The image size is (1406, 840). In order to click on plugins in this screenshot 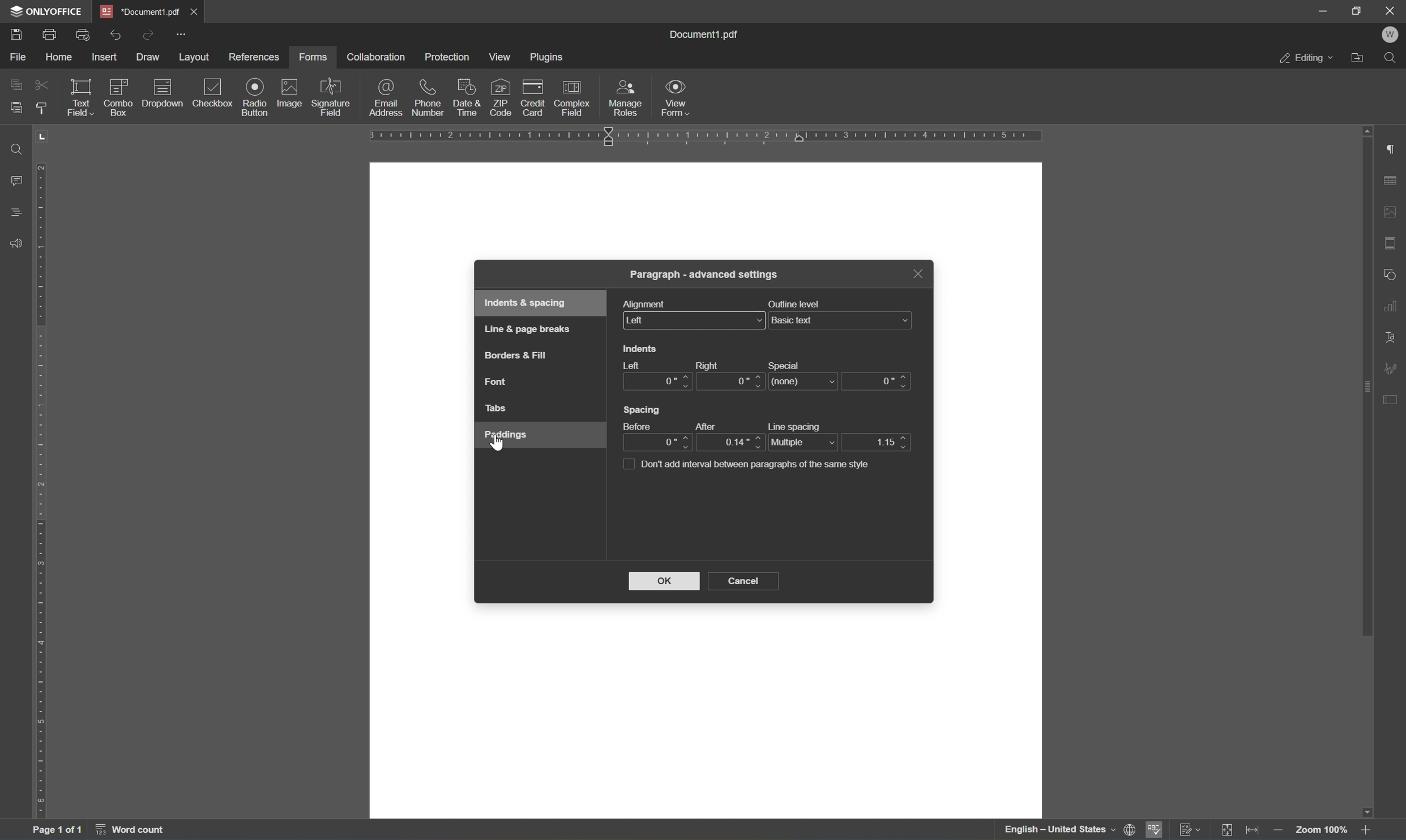, I will do `click(549, 58)`.